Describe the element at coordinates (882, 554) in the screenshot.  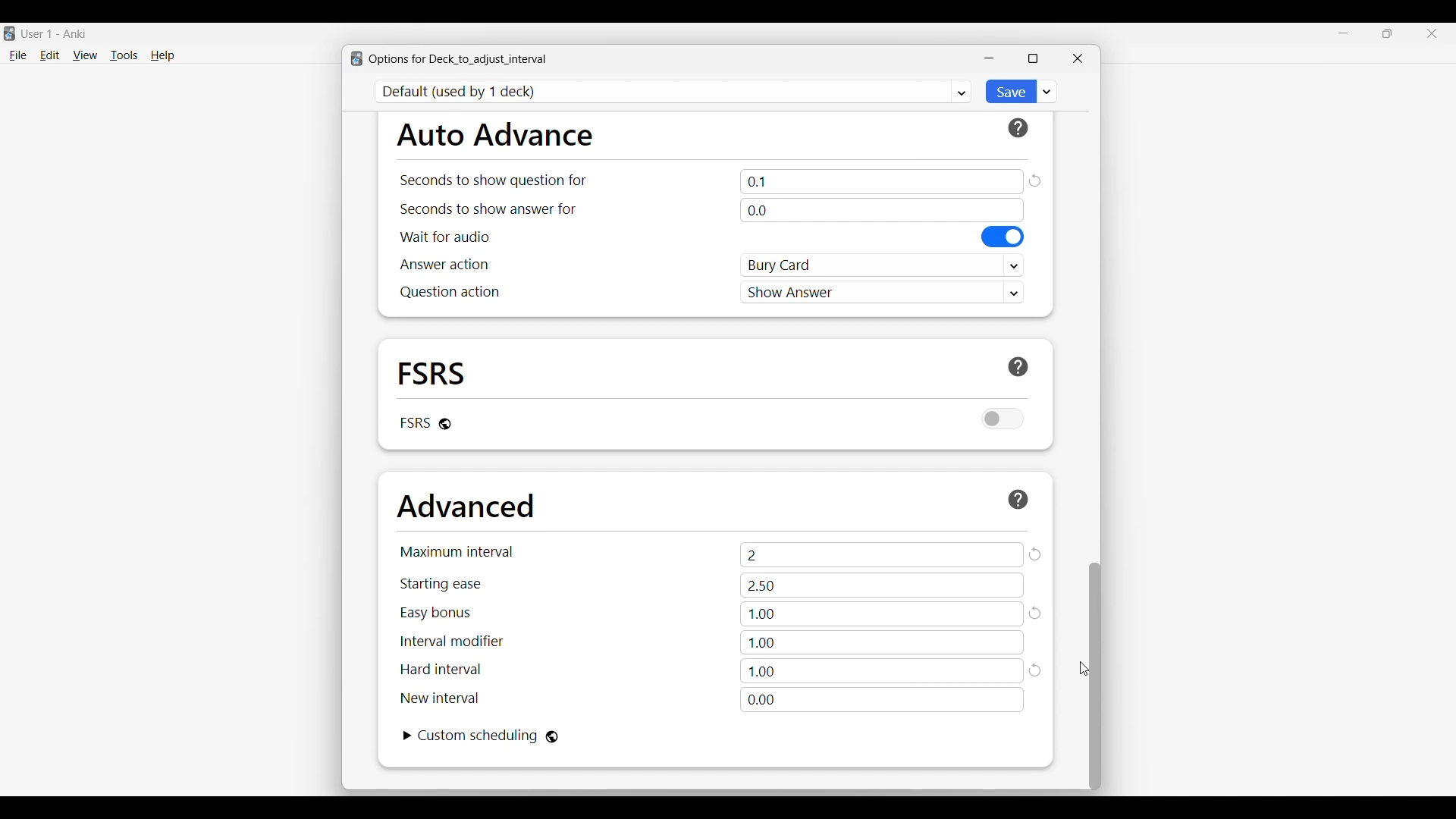
I see `2` at that location.